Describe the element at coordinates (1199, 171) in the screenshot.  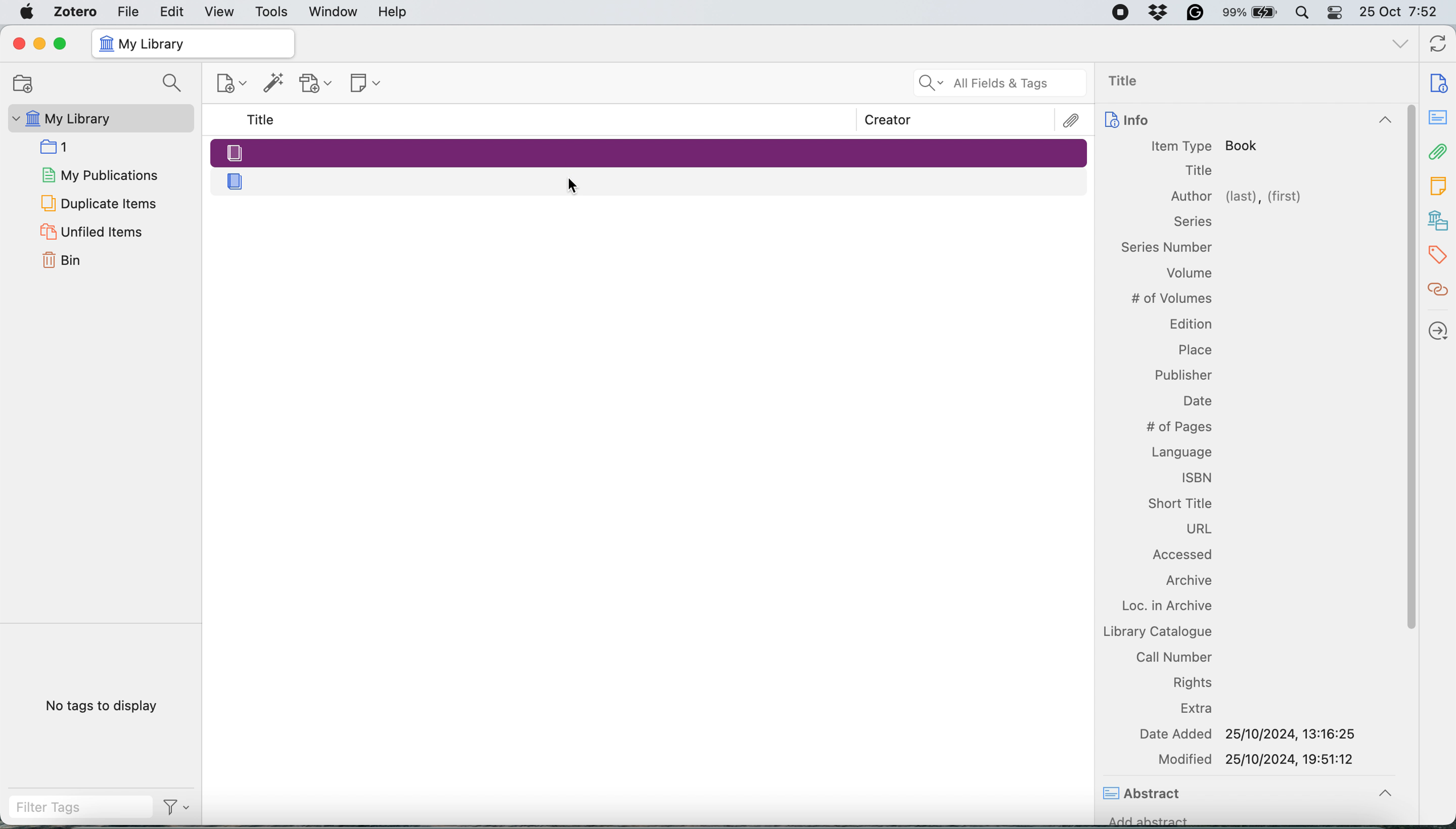
I see `Title` at that location.